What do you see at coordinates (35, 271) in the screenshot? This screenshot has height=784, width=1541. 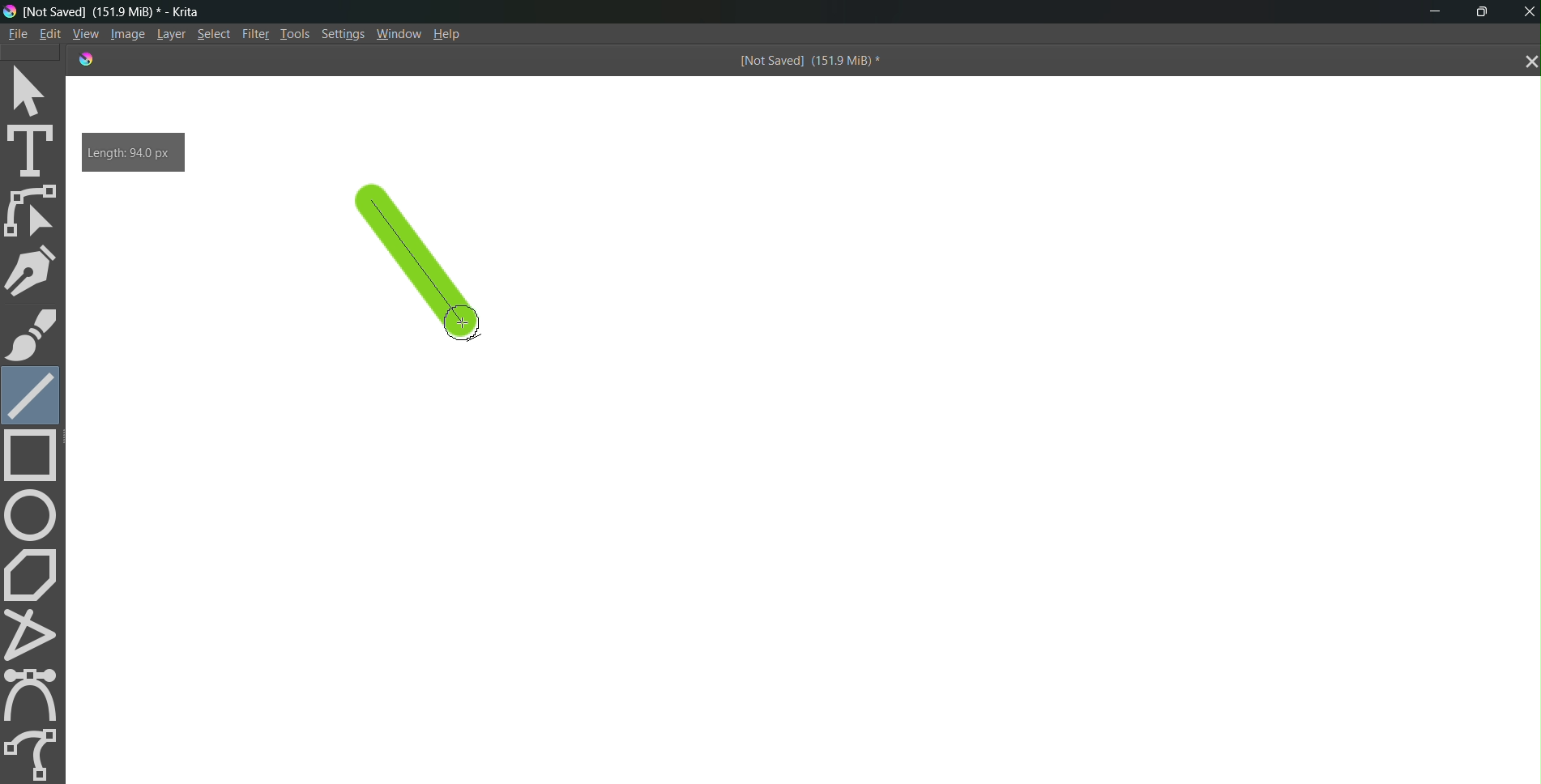 I see `pen` at bounding box center [35, 271].